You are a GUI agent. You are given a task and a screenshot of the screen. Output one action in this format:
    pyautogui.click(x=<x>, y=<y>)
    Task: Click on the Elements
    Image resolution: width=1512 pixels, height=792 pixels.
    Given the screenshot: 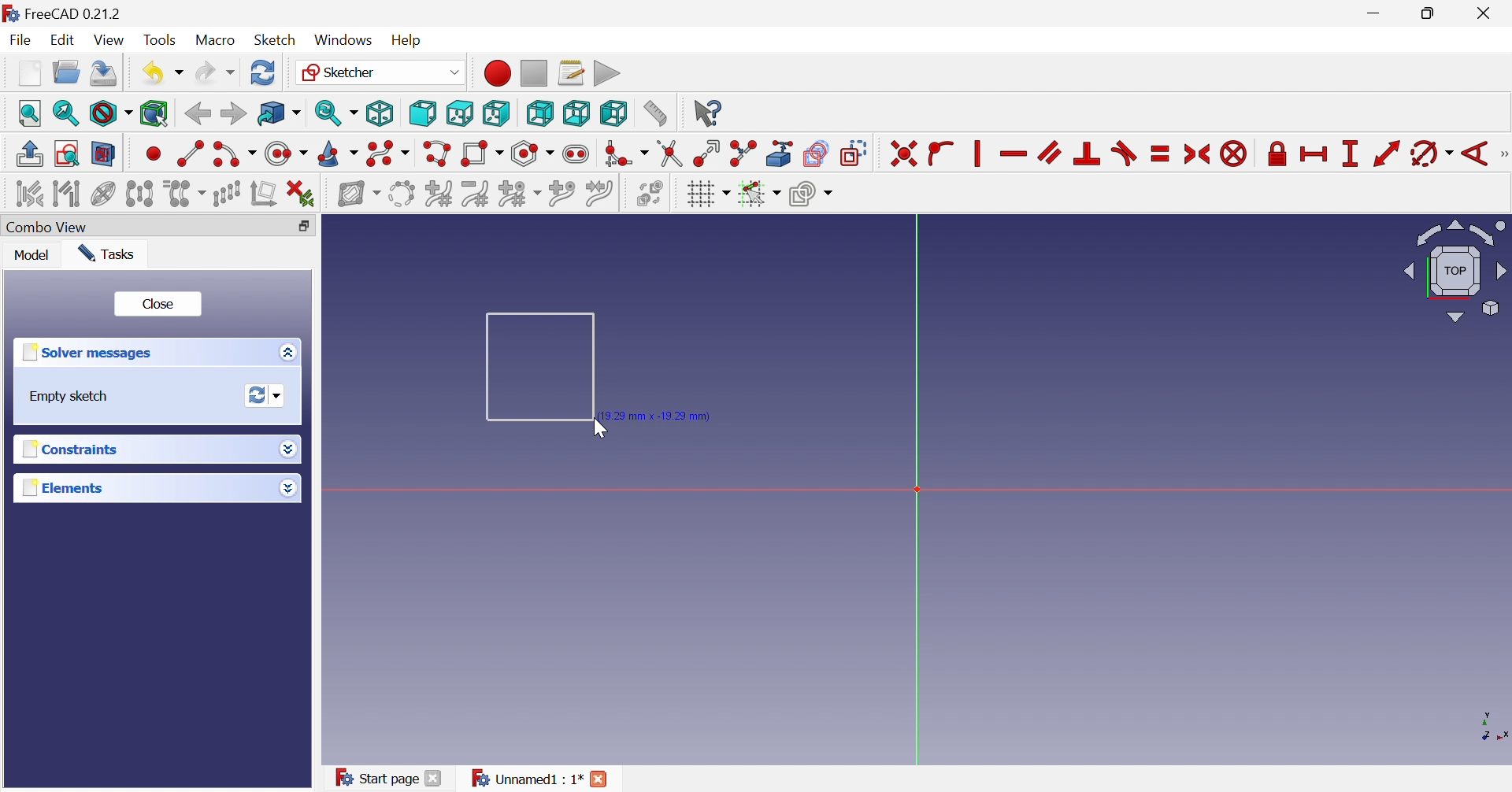 What is the action you would take?
    pyautogui.click(x=62, y=488)
    